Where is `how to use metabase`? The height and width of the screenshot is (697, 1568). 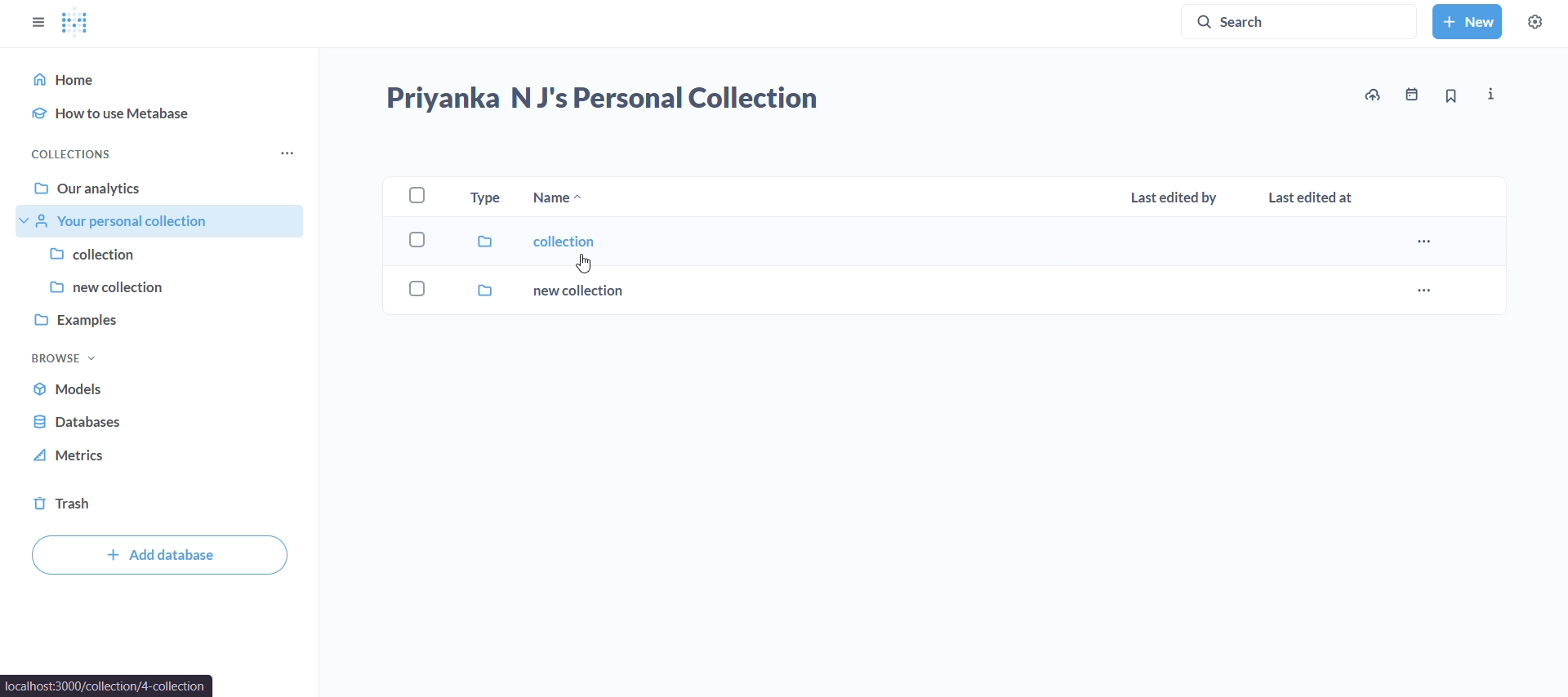 how to use metabase is located at coordinates (167, 114).